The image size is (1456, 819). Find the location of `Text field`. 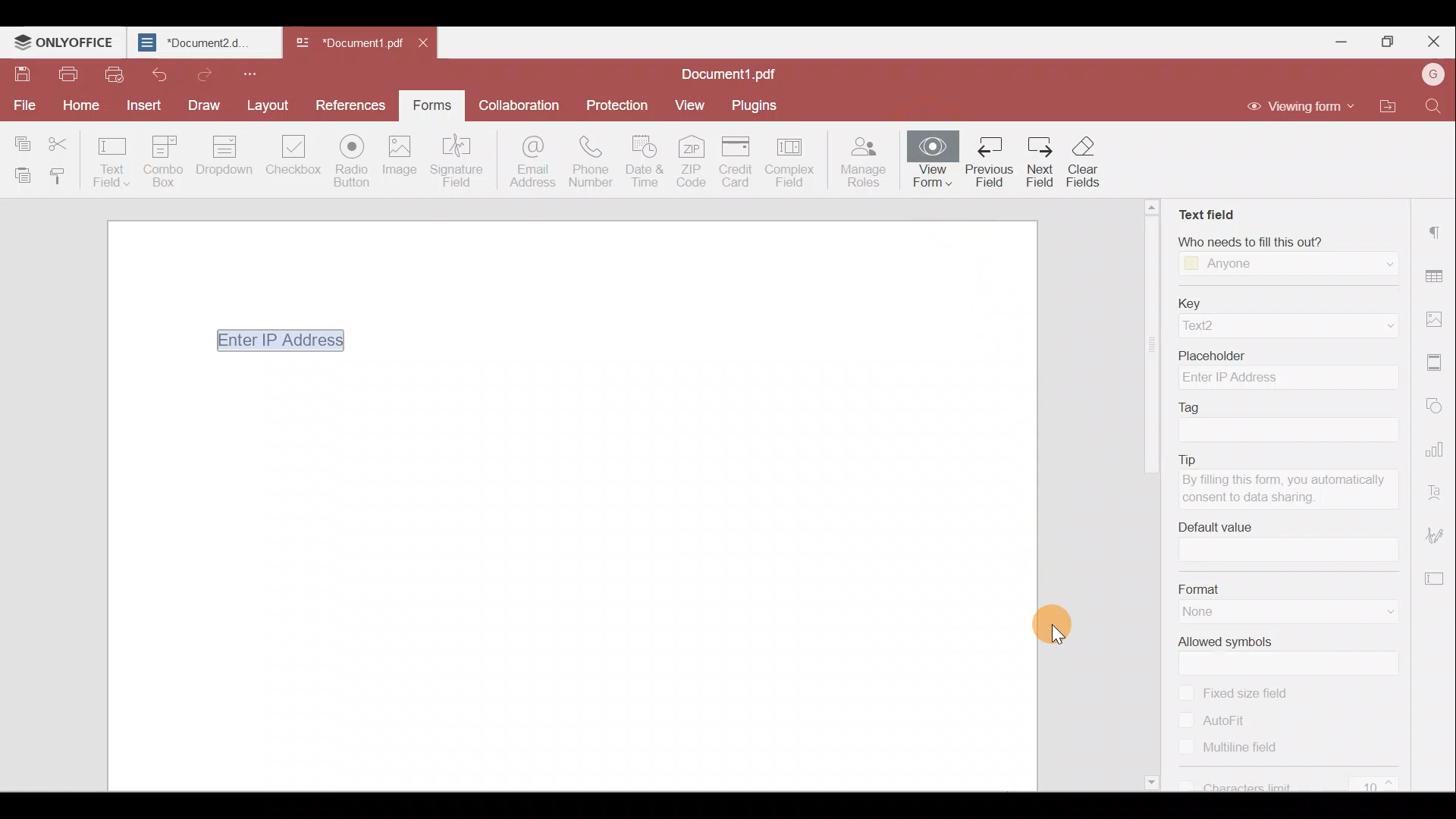

Text field is located at coordinates (112, 161).